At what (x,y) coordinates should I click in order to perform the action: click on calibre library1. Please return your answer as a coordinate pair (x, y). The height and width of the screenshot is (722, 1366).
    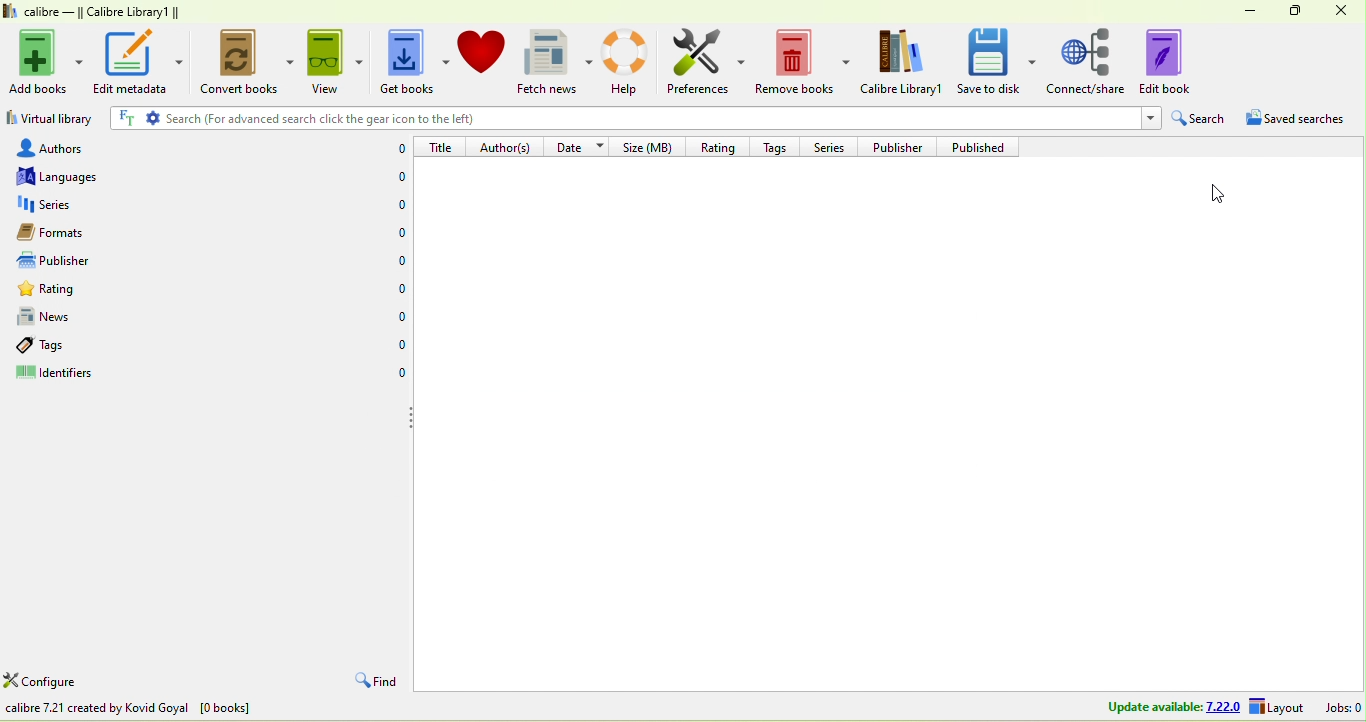
    Looking at the image, I should click on (904, 62).